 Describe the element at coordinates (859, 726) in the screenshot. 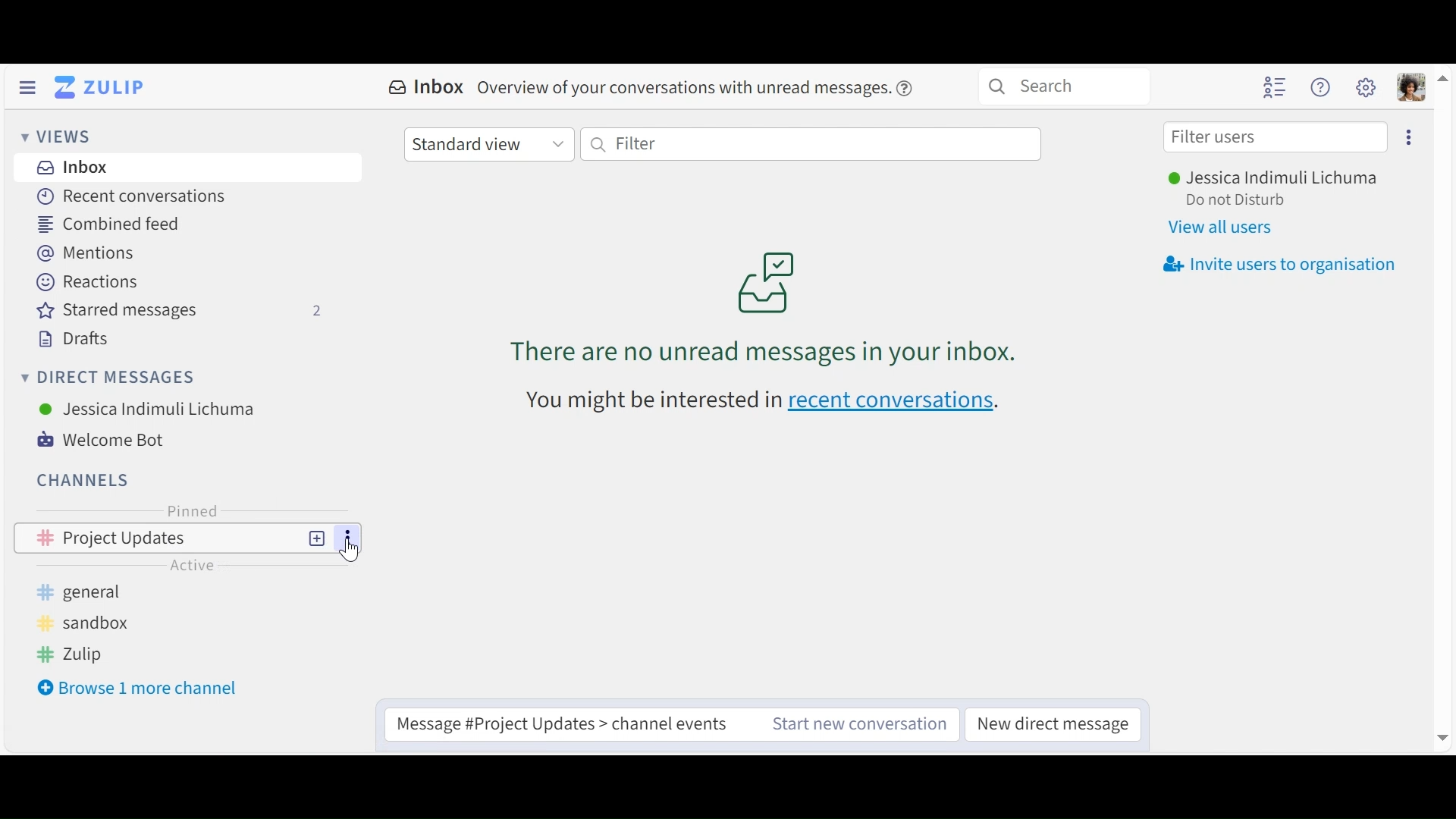

I see `Start new conversation` at that location.